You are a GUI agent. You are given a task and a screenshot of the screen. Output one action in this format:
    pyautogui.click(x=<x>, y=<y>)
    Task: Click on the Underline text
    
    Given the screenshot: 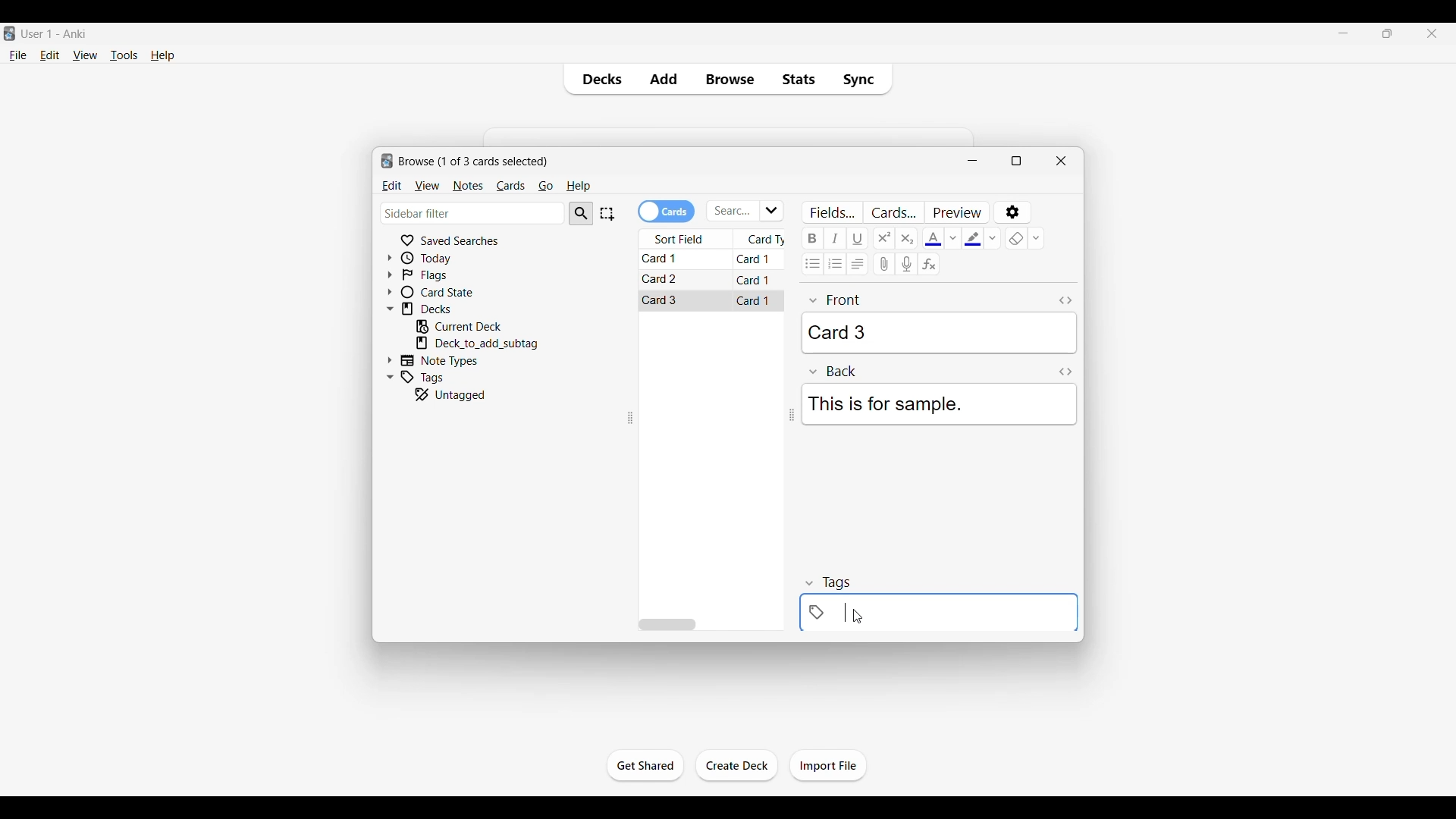 What is the action you would take?
    pyautogui.click(x=858, y=238)
    